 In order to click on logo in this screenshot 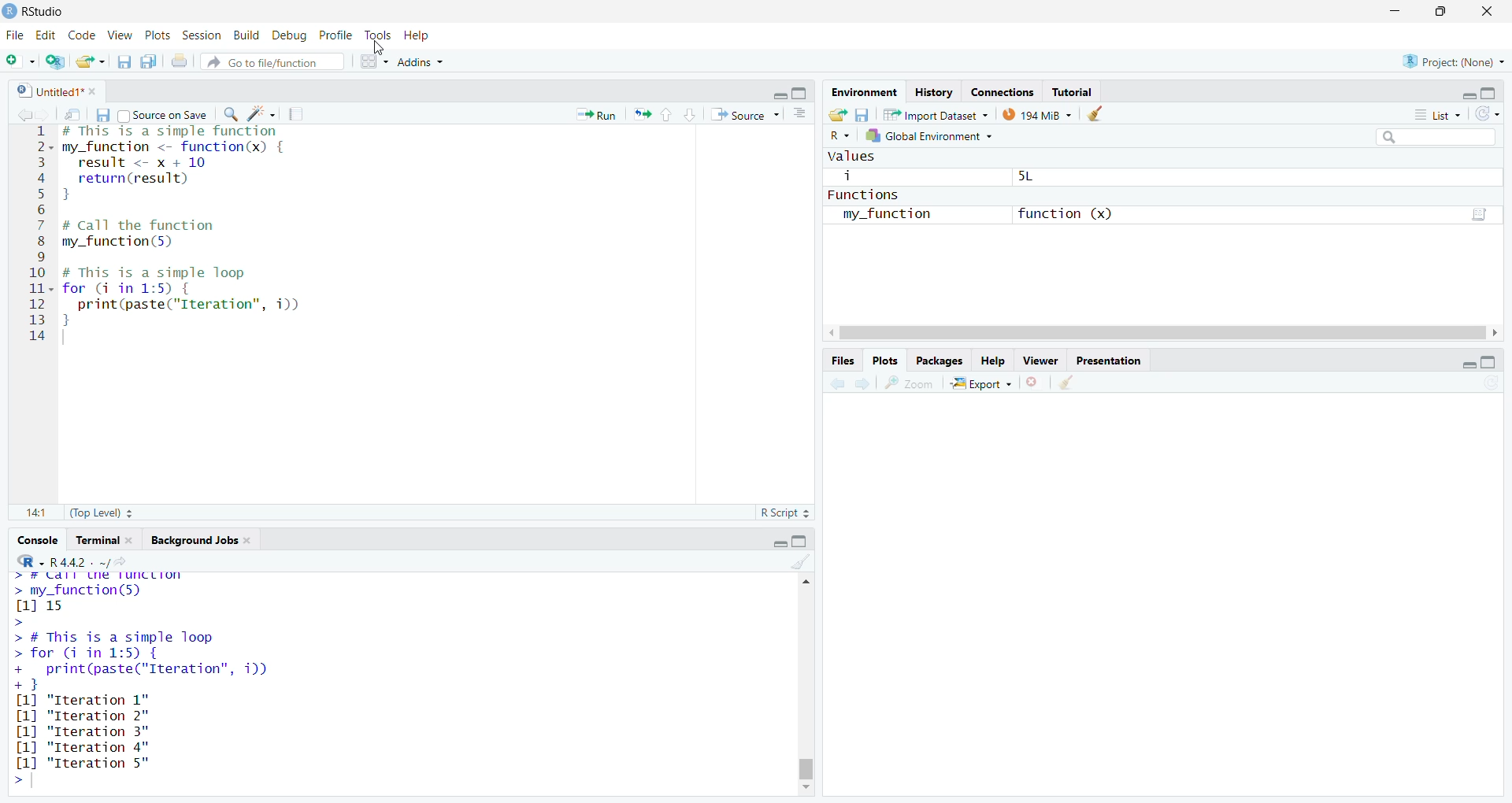, I will do `click(9, 11)`.